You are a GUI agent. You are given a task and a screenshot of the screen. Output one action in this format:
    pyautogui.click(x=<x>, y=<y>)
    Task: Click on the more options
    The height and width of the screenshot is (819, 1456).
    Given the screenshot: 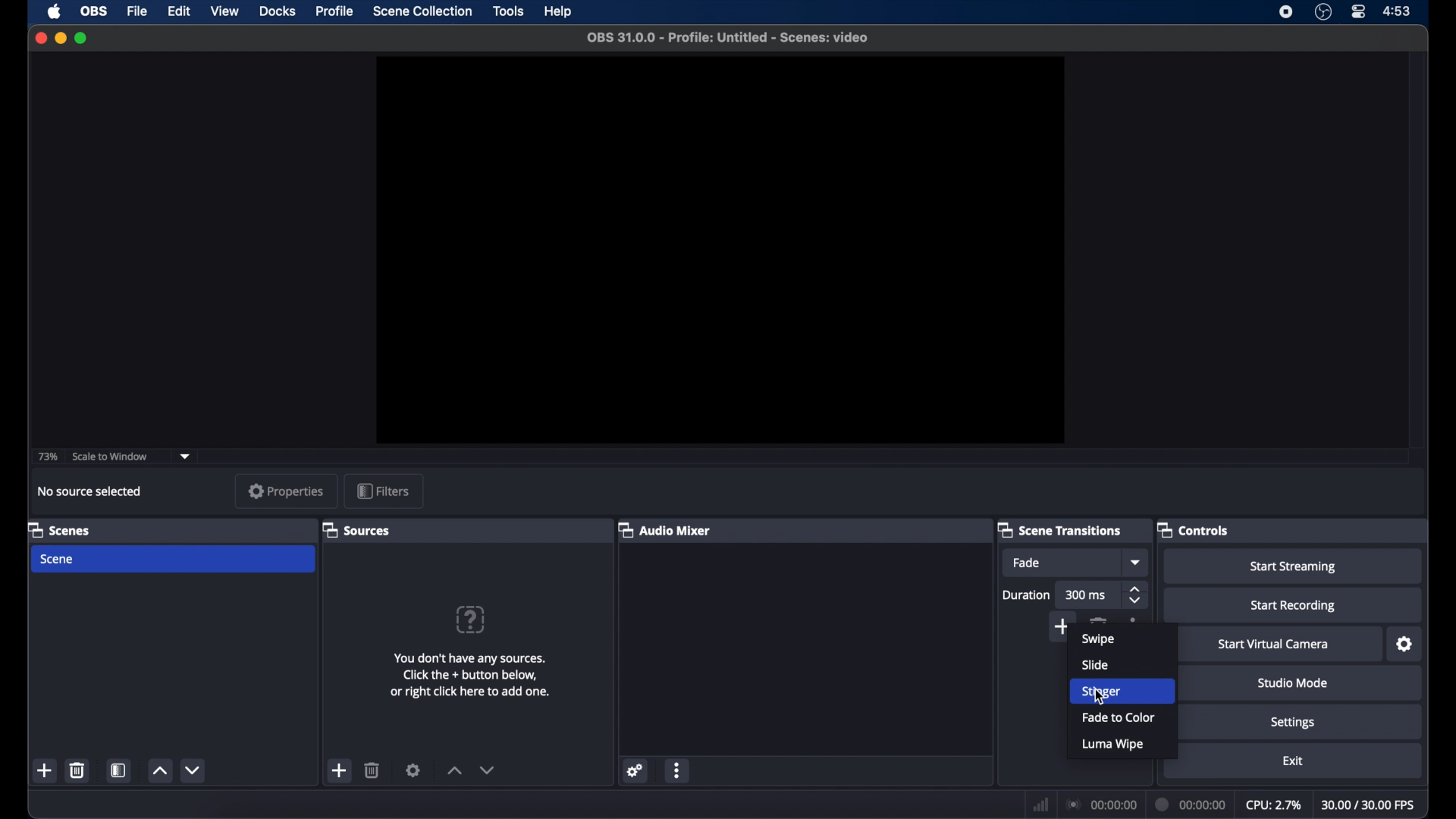 What is the action you would take?
    pyautogui.click(x=1134, y=620)
    